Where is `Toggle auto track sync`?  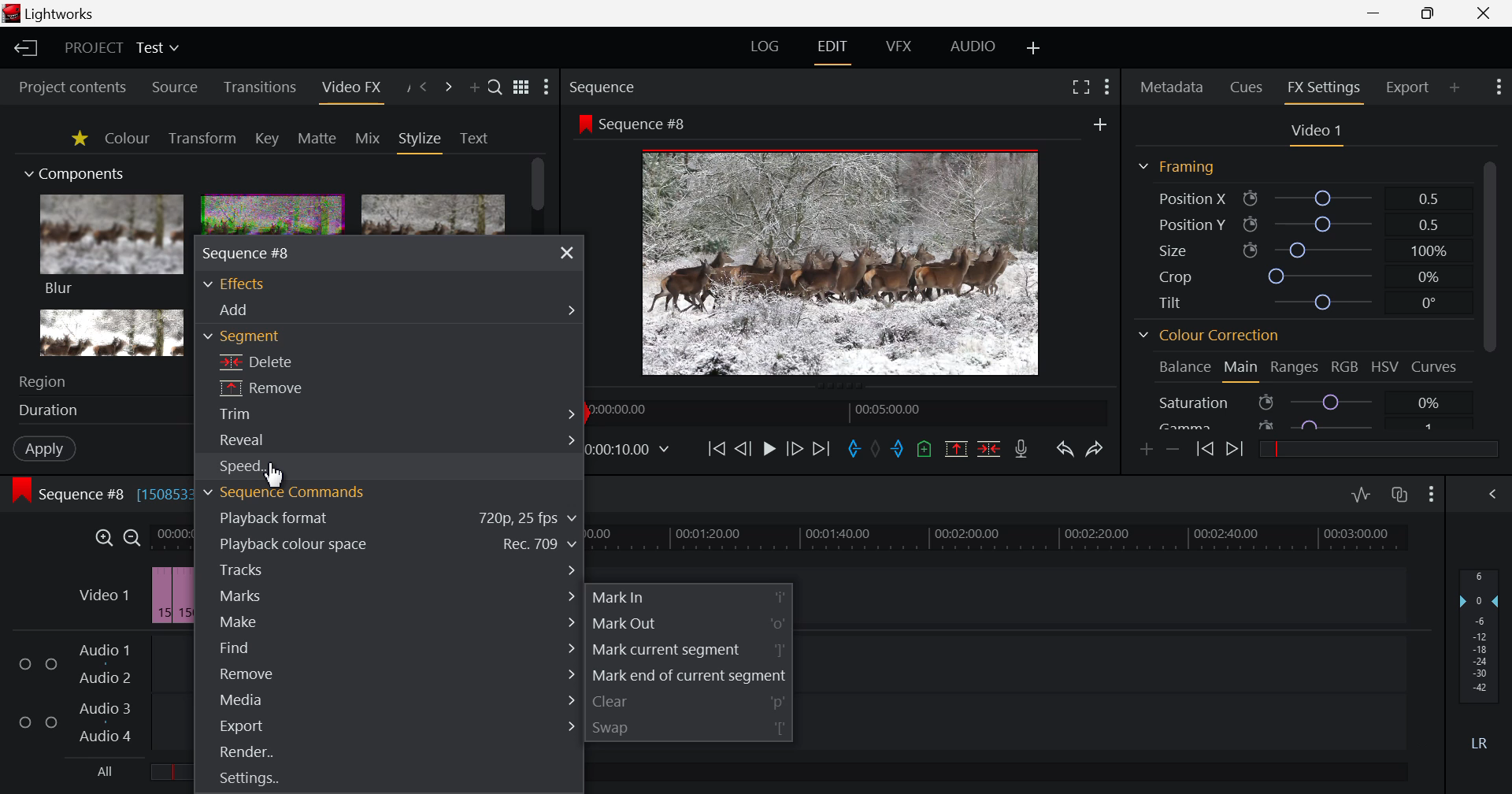 Toggle auto track sync is located at coordinates (1400, 495).